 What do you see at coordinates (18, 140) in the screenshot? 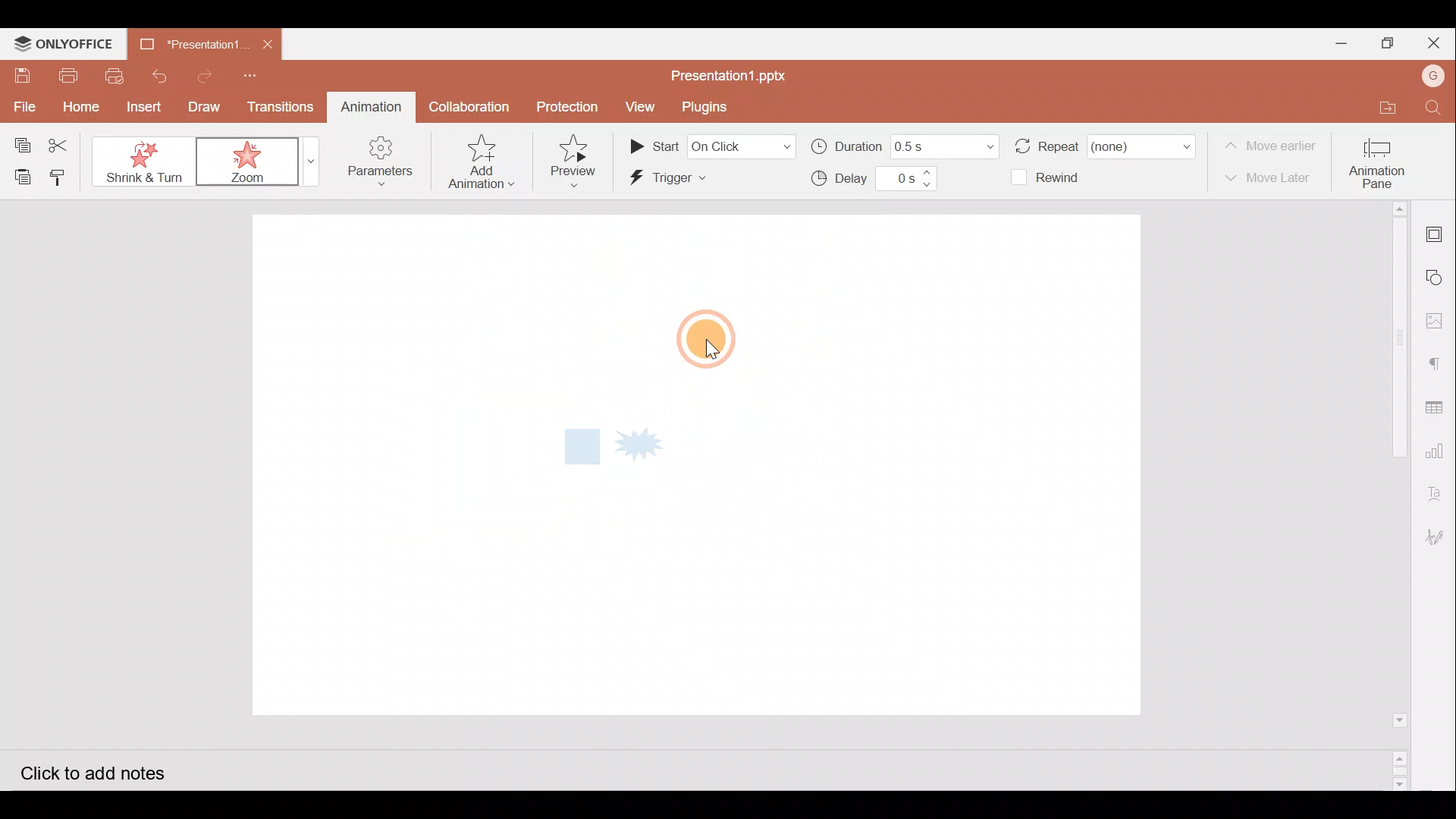
I see `Copy` at bounding box center [18, 140].